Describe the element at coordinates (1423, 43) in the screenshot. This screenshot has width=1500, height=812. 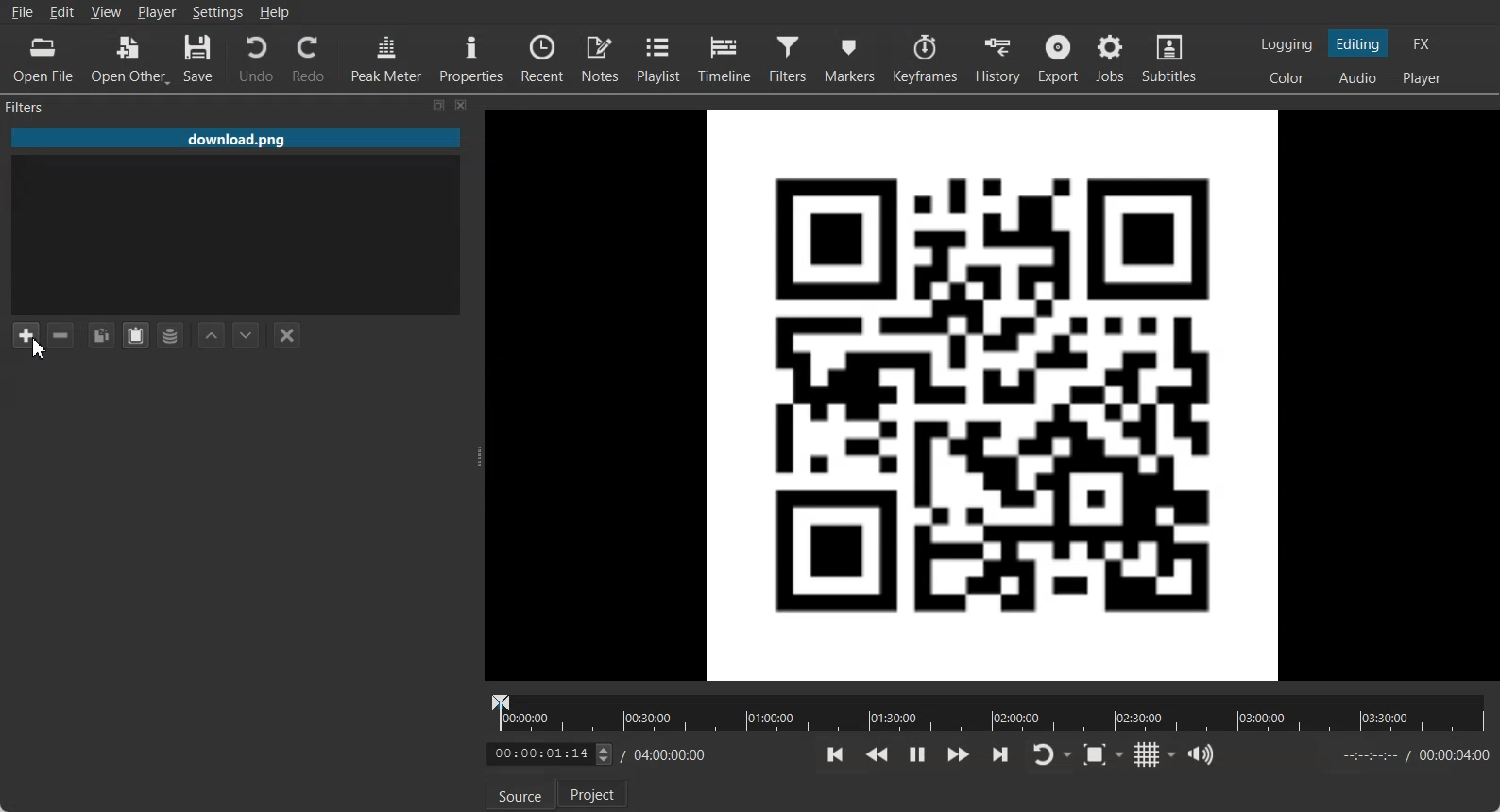
I see `Switching to the Effect layout` at that location.